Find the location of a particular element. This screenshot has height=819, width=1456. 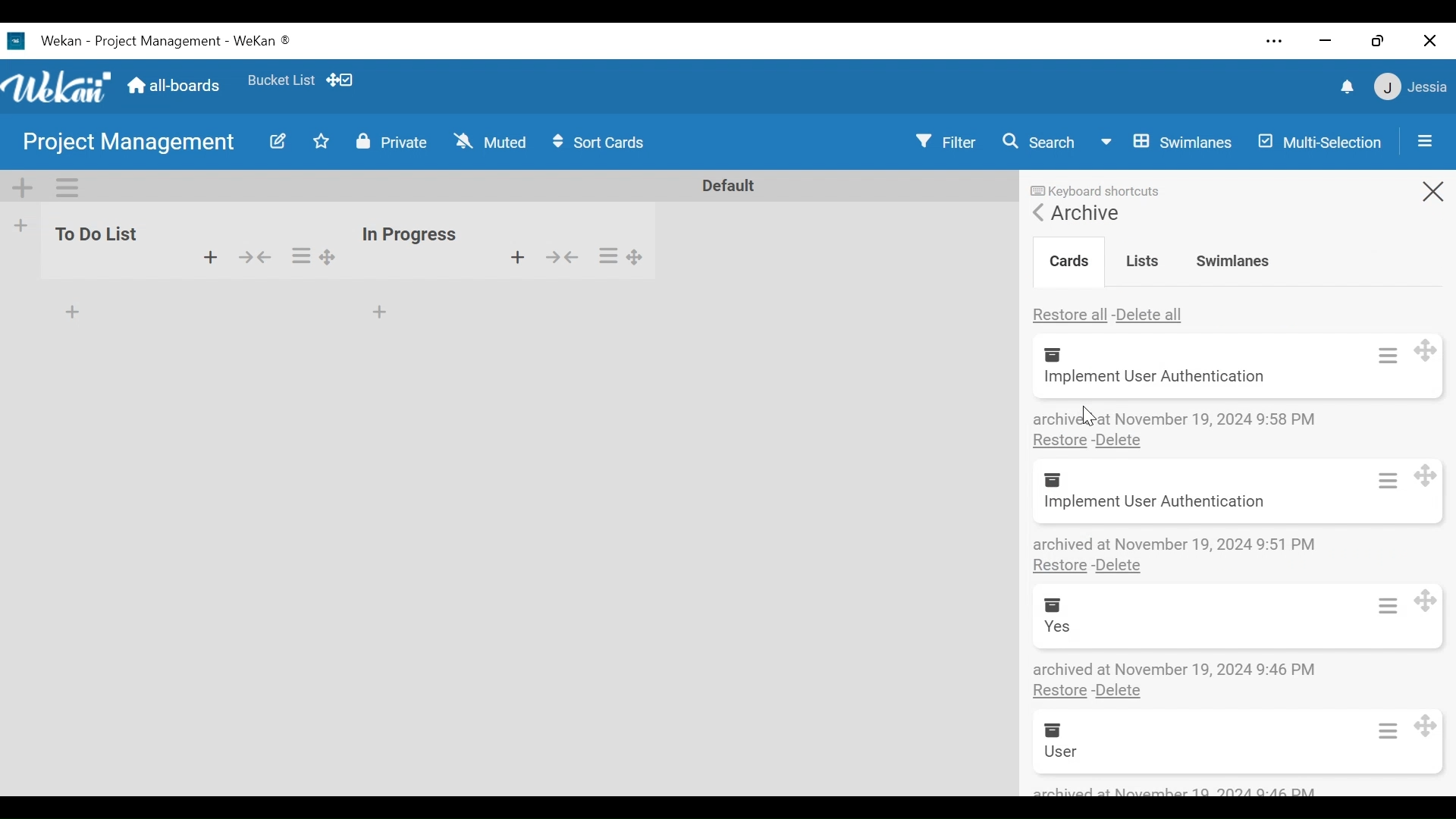

notifications is located at coordinates (1345, 88).